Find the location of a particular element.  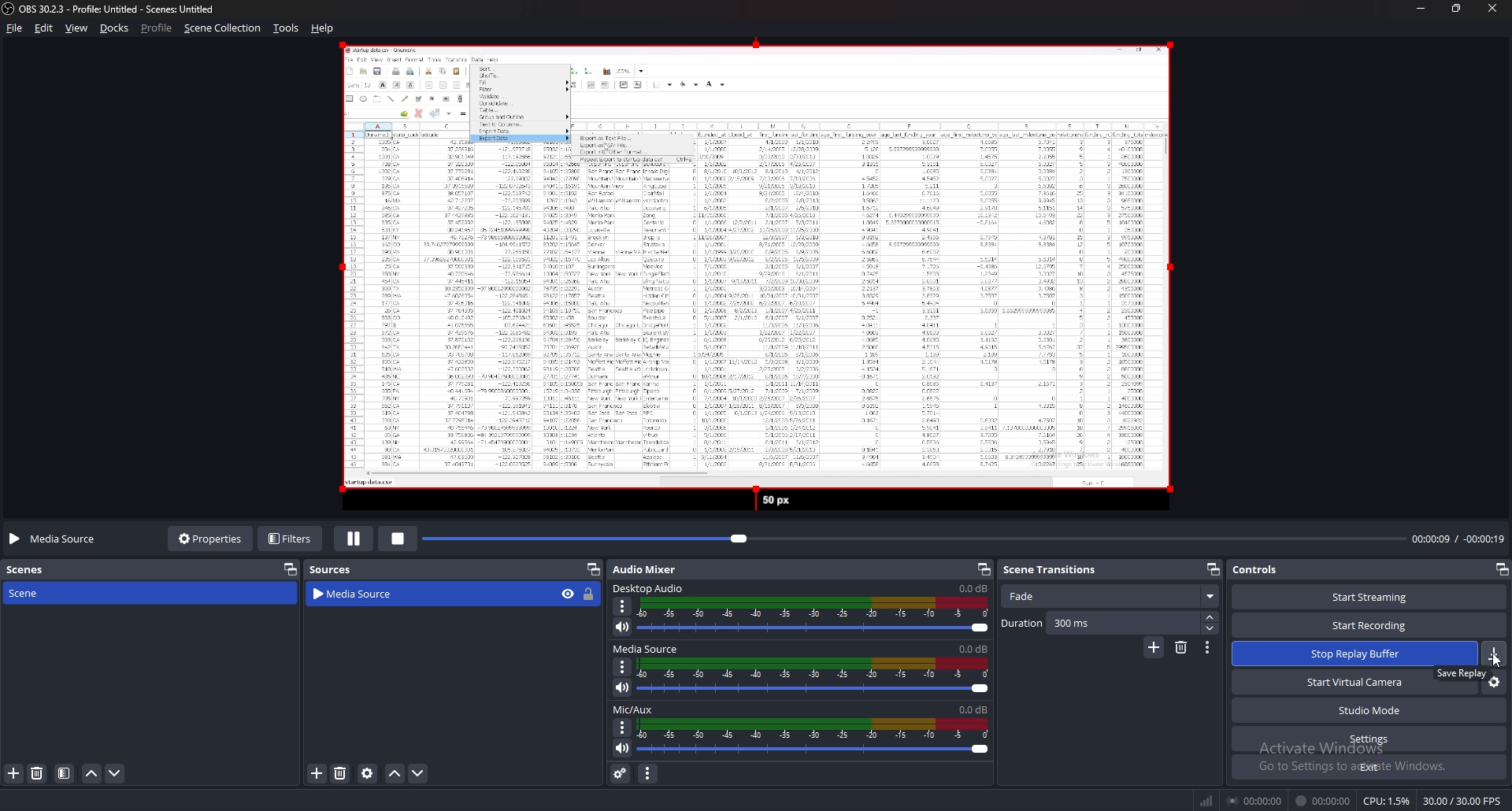

add source is located at coordinates (317, 773).